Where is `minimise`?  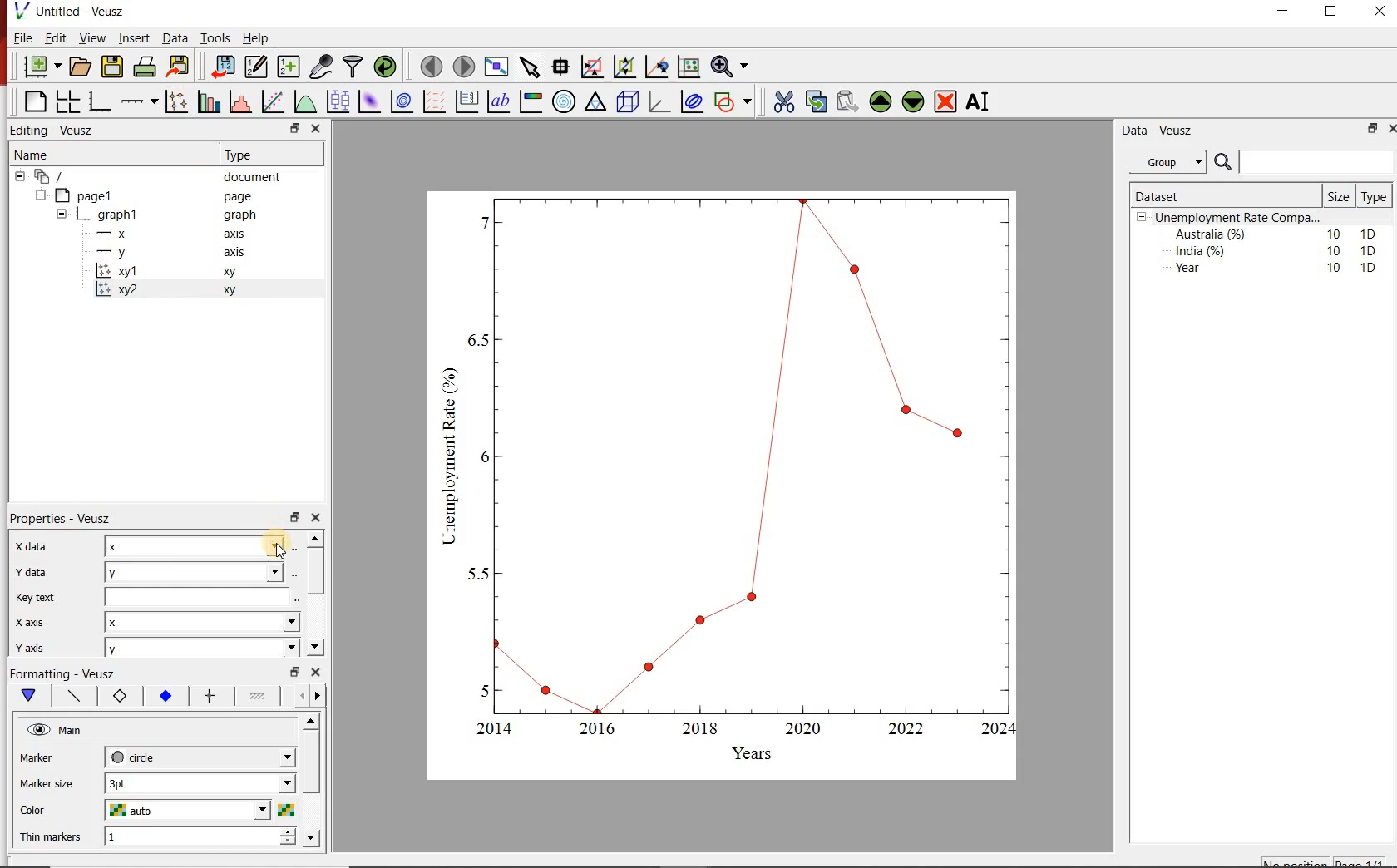 minimise is located at coordinates (297, 128).